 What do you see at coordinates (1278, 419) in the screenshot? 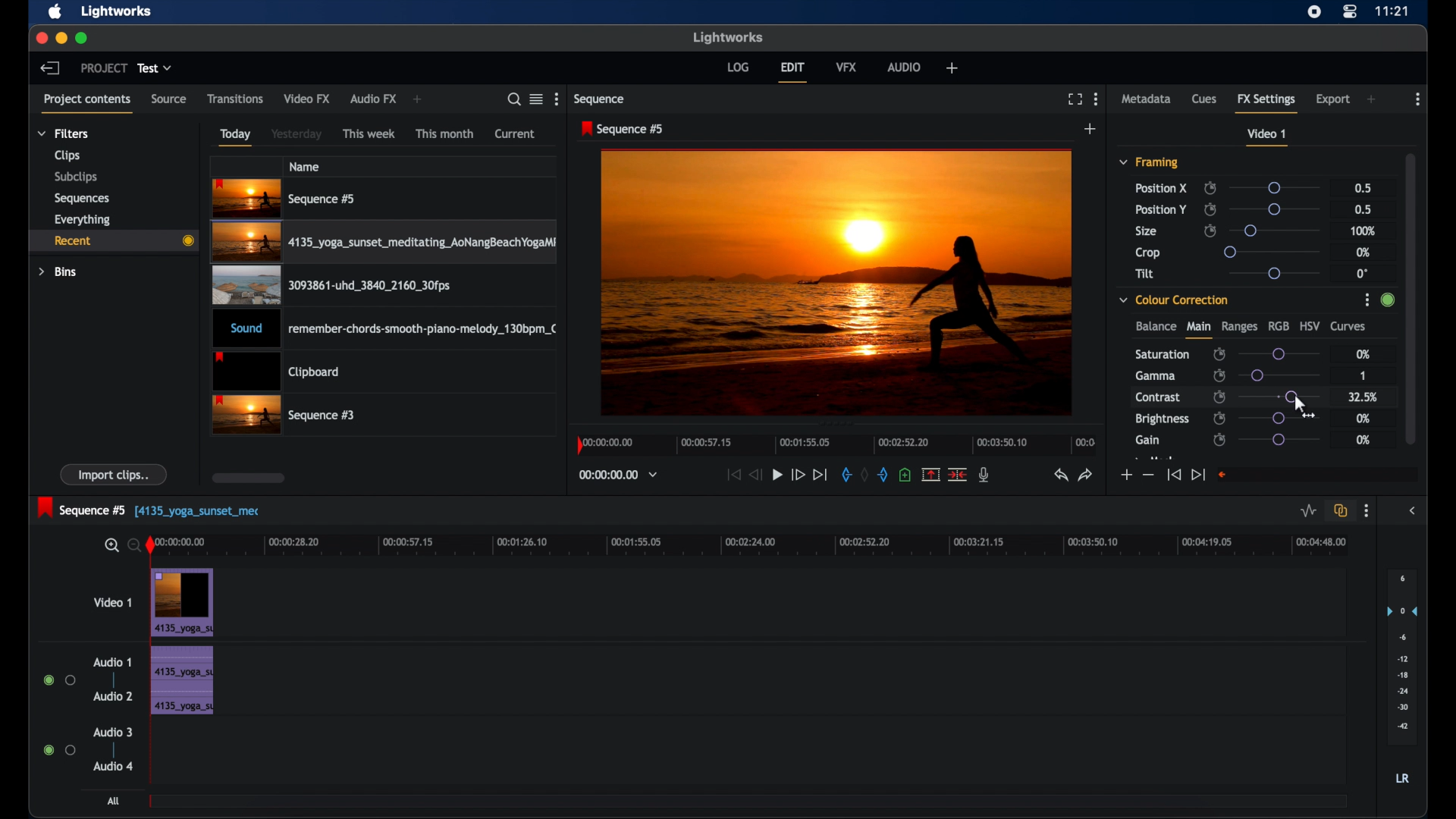
I see `slider` at bounding box center [1278, 419].